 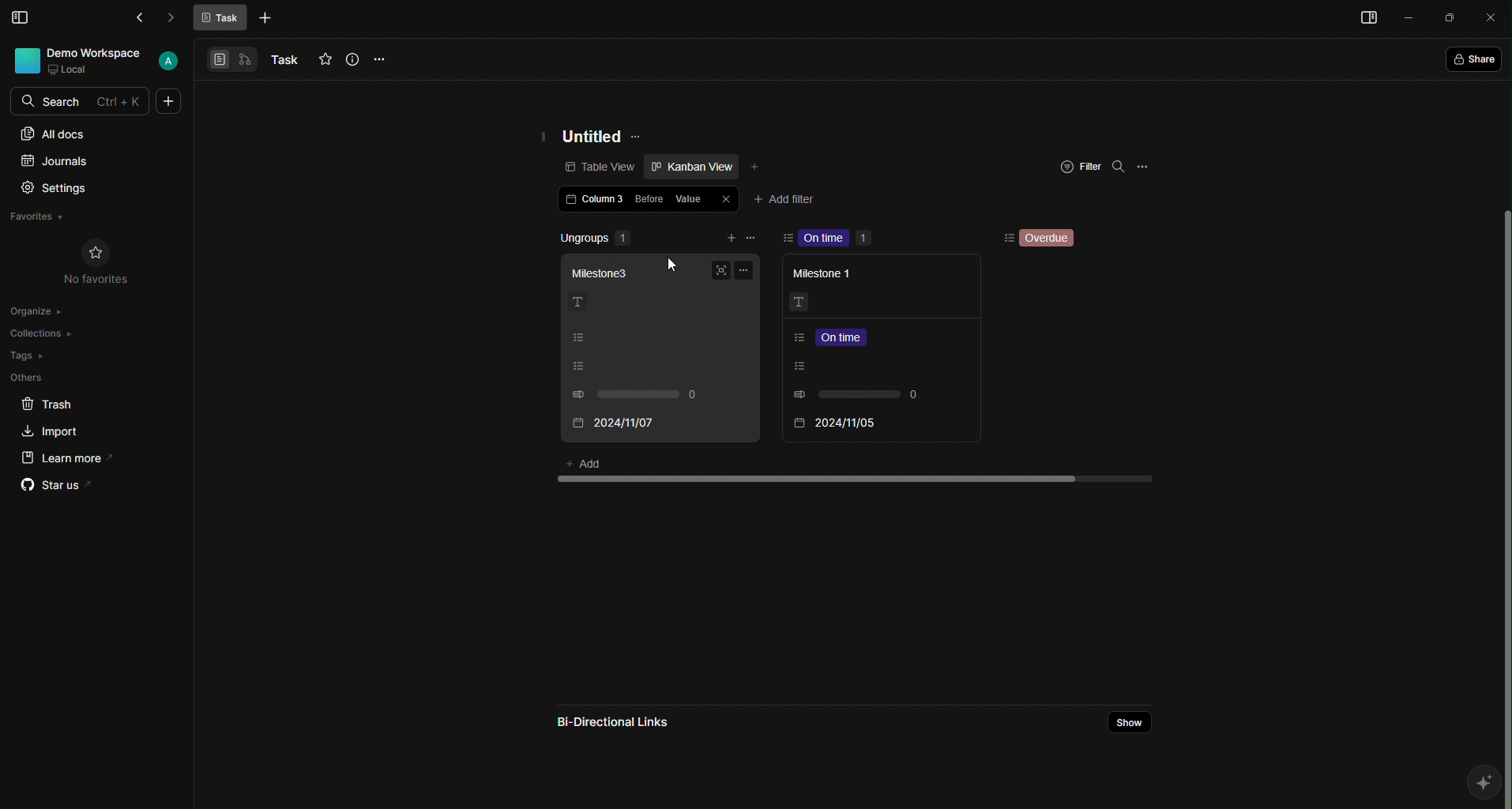 What do you see at coordinates (1119, 168) in the screenshot?
I see `Search` at bounding box center [1119, 168].